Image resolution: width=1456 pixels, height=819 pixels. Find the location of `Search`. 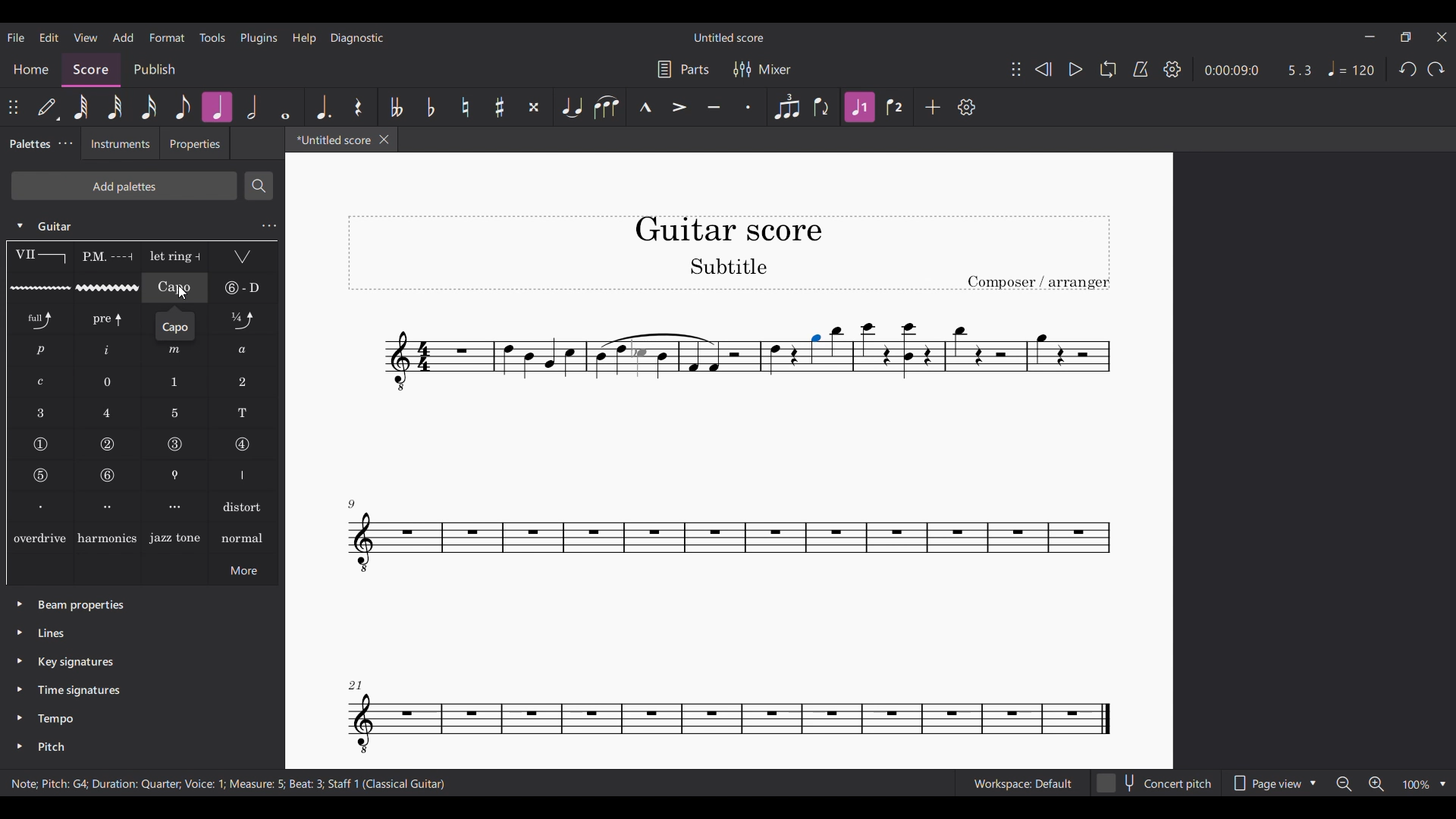

Search is located at coordinates (259, 186).